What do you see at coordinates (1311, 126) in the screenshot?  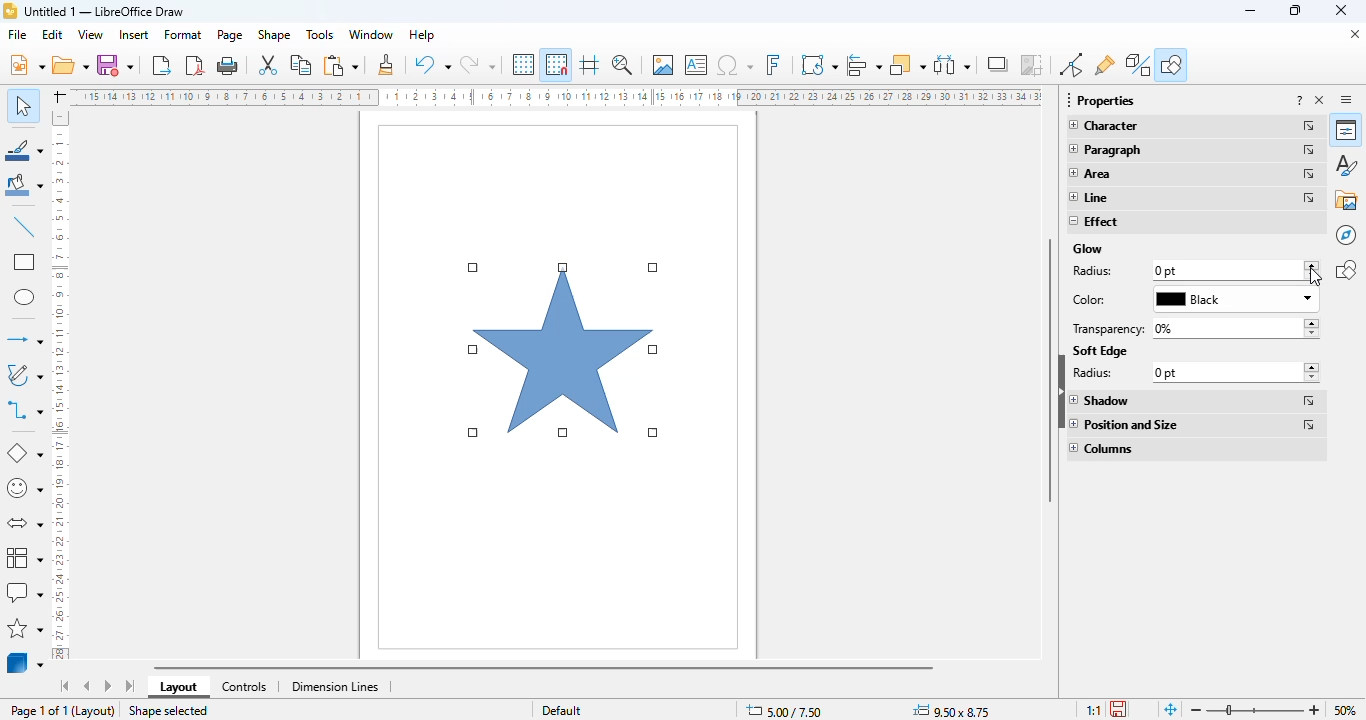 I see `more options` at bounding box center [1311, 126].